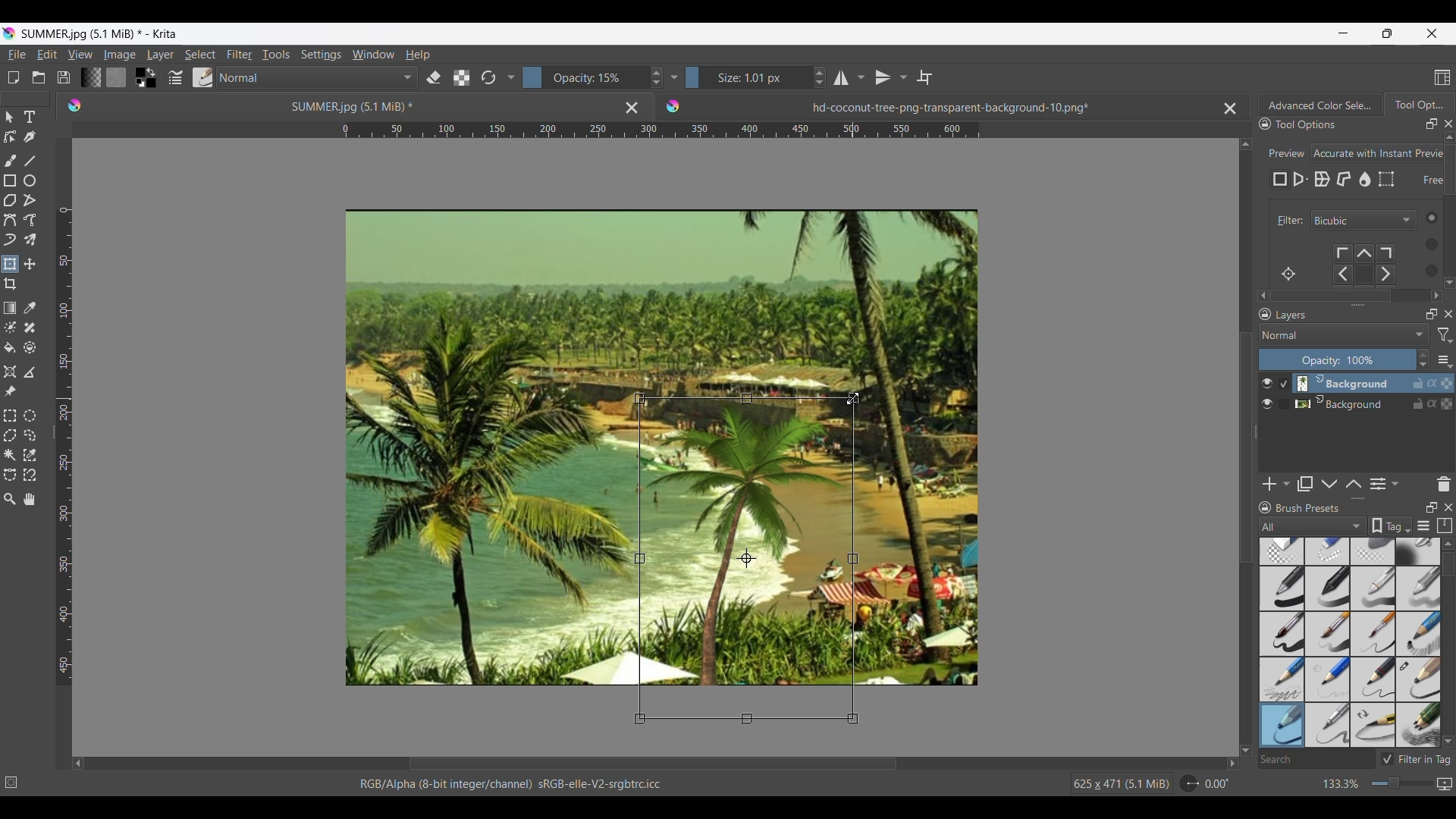 The height and width of the screenshot is (819, 1456). I want to click on Search brush manually, so click(1316, 759).